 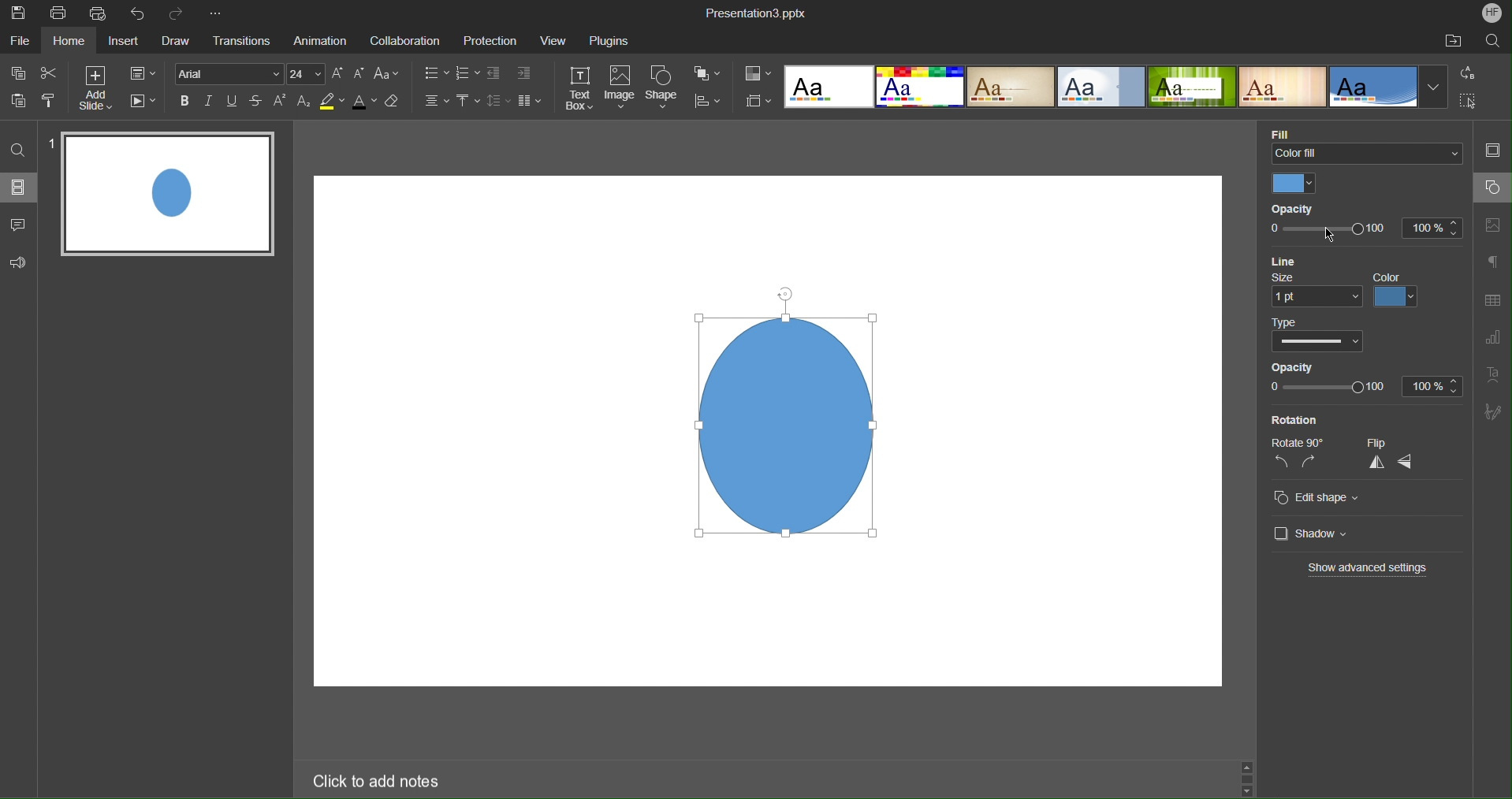 What do you see at coordinates (97, 88) in the screenshot?
I see `Add Slide` at bounding box center [97, 88].